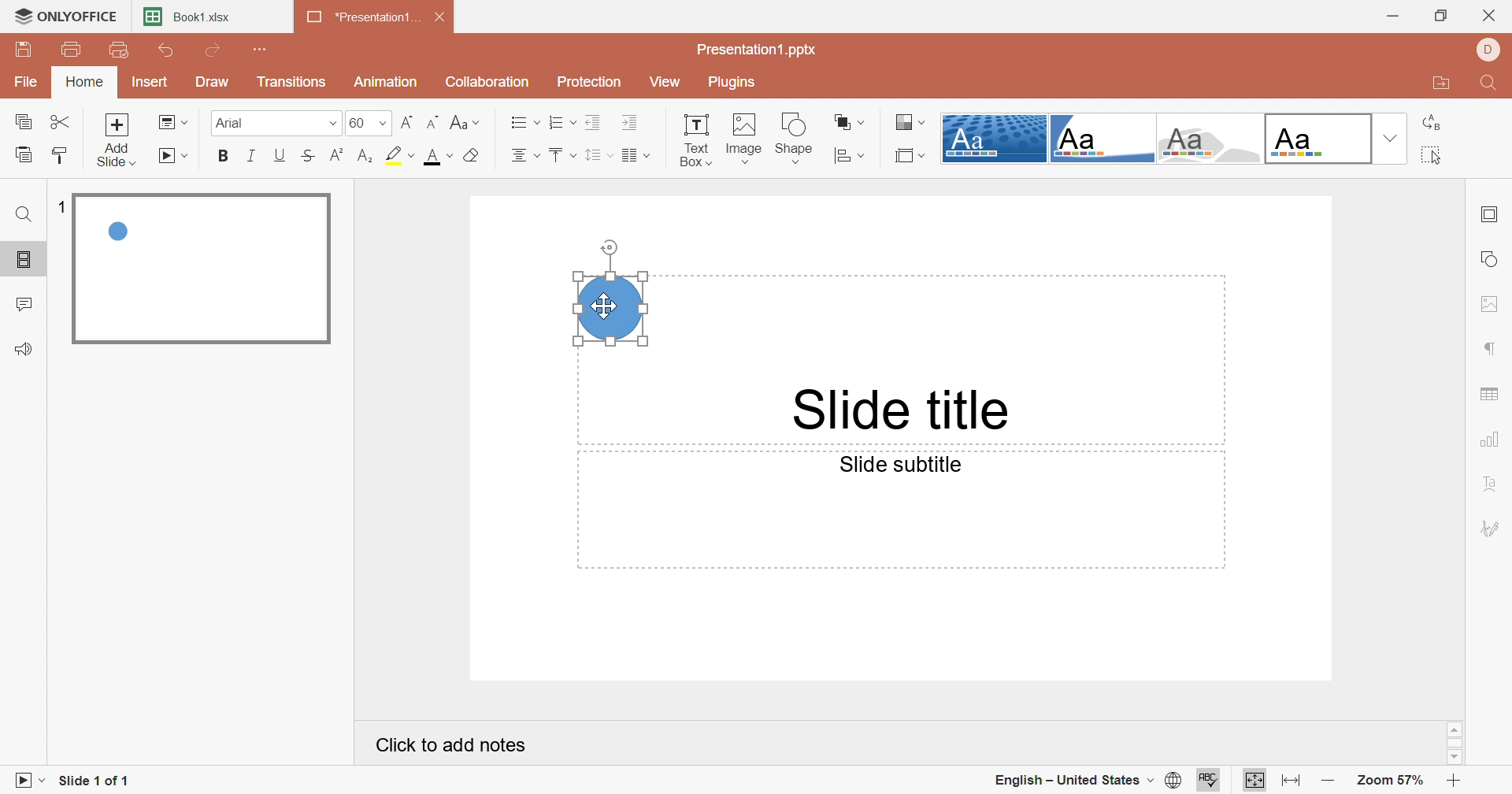 This screenshot has height=794, width=1512. I want to click on Change color theme, so click(910, 121).